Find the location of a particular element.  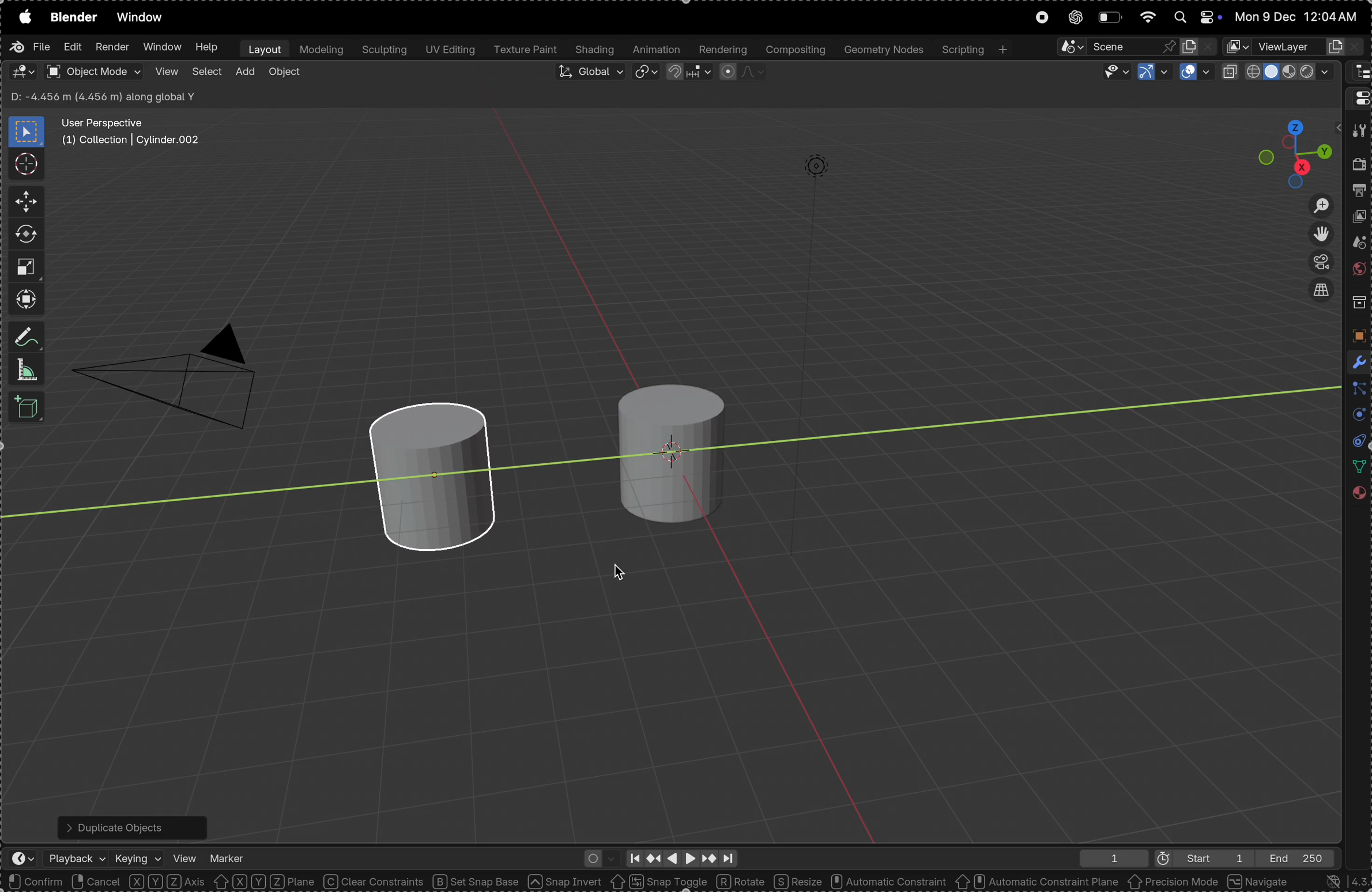

cylinder is located at coordinates (446, 477).